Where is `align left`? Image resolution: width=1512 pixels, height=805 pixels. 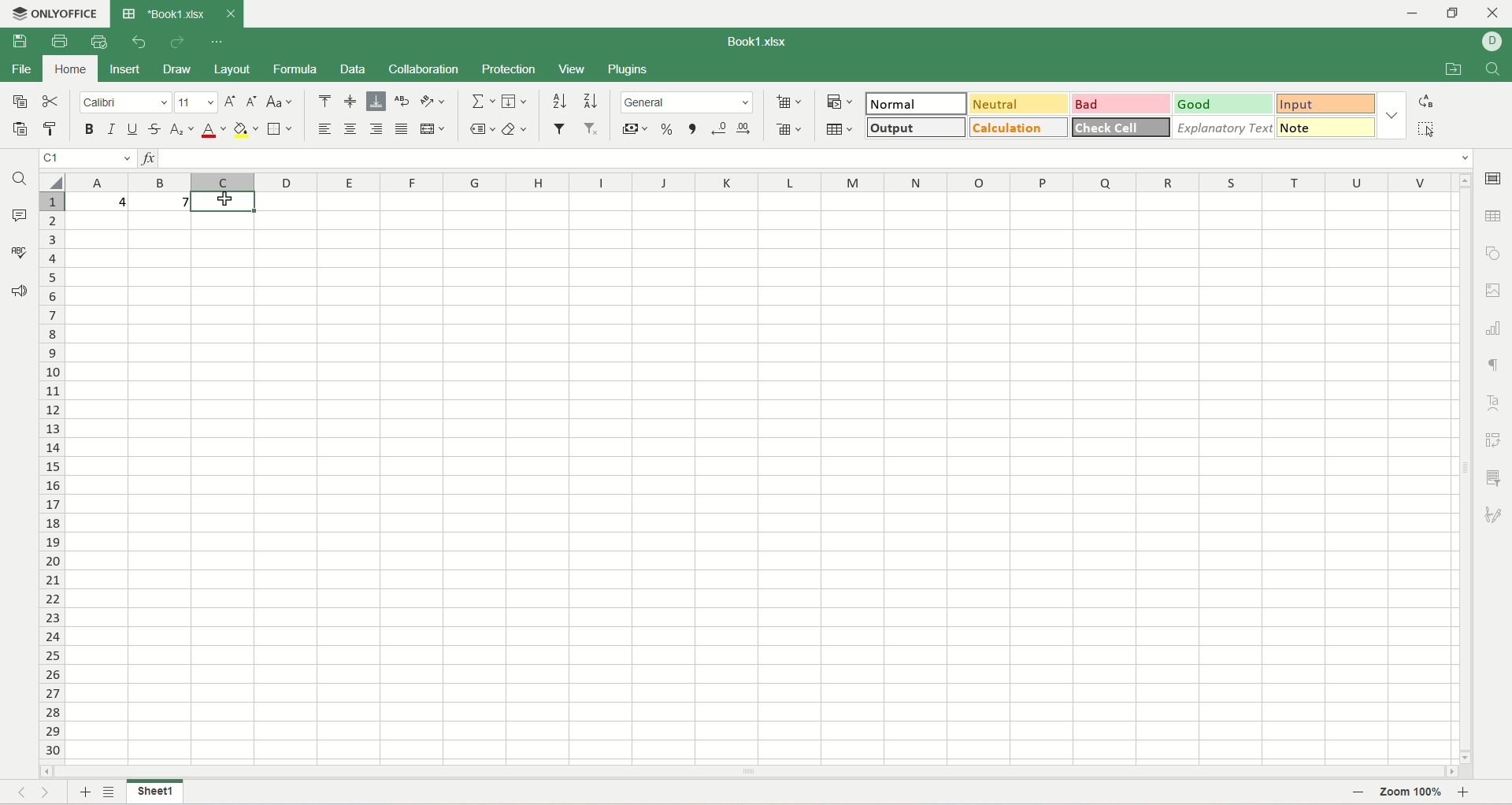
align left is located at coordinates (328, 128).